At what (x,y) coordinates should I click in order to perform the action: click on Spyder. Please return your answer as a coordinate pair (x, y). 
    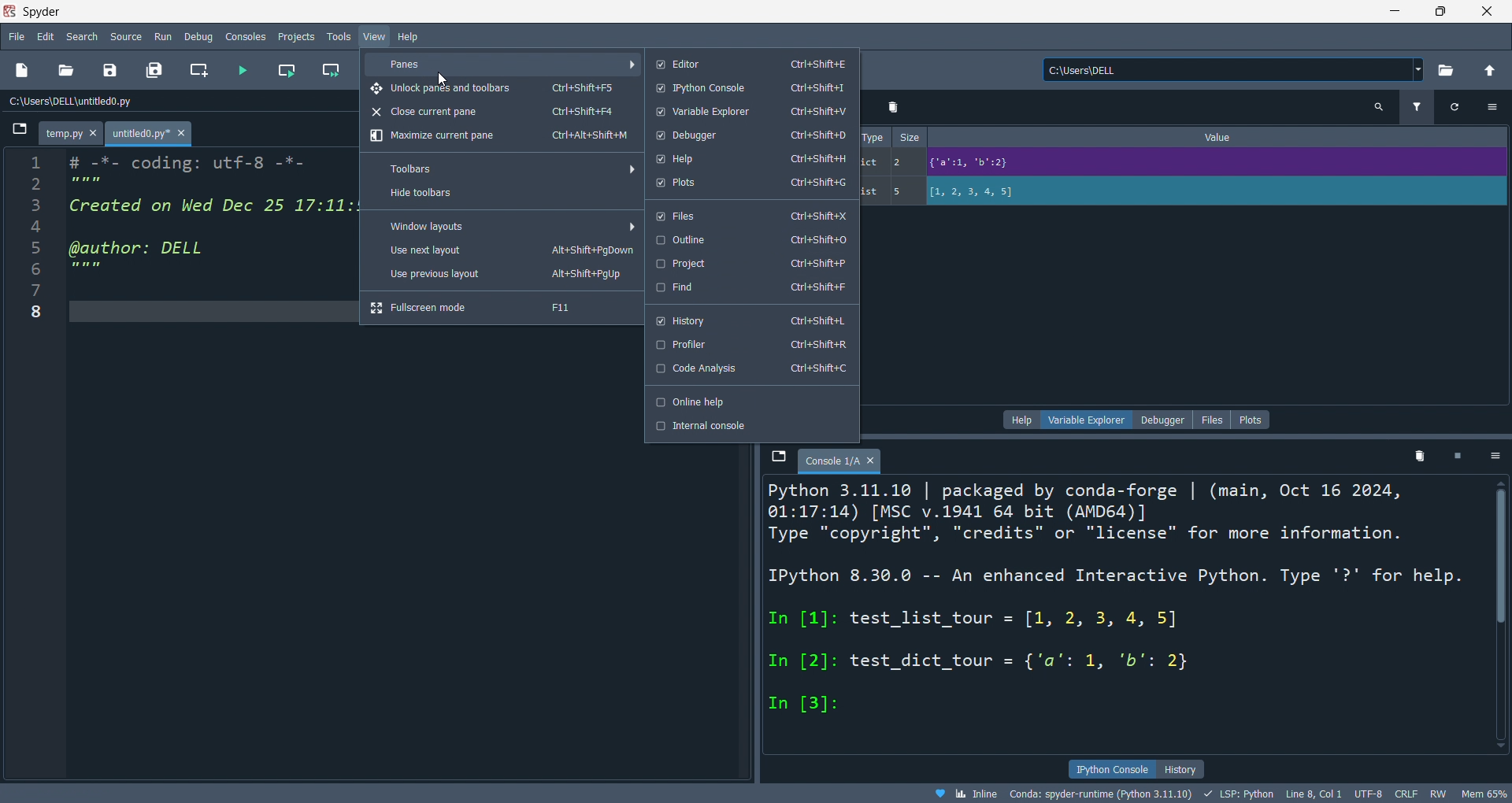
    Looking at the image, I should click on (219, 12).